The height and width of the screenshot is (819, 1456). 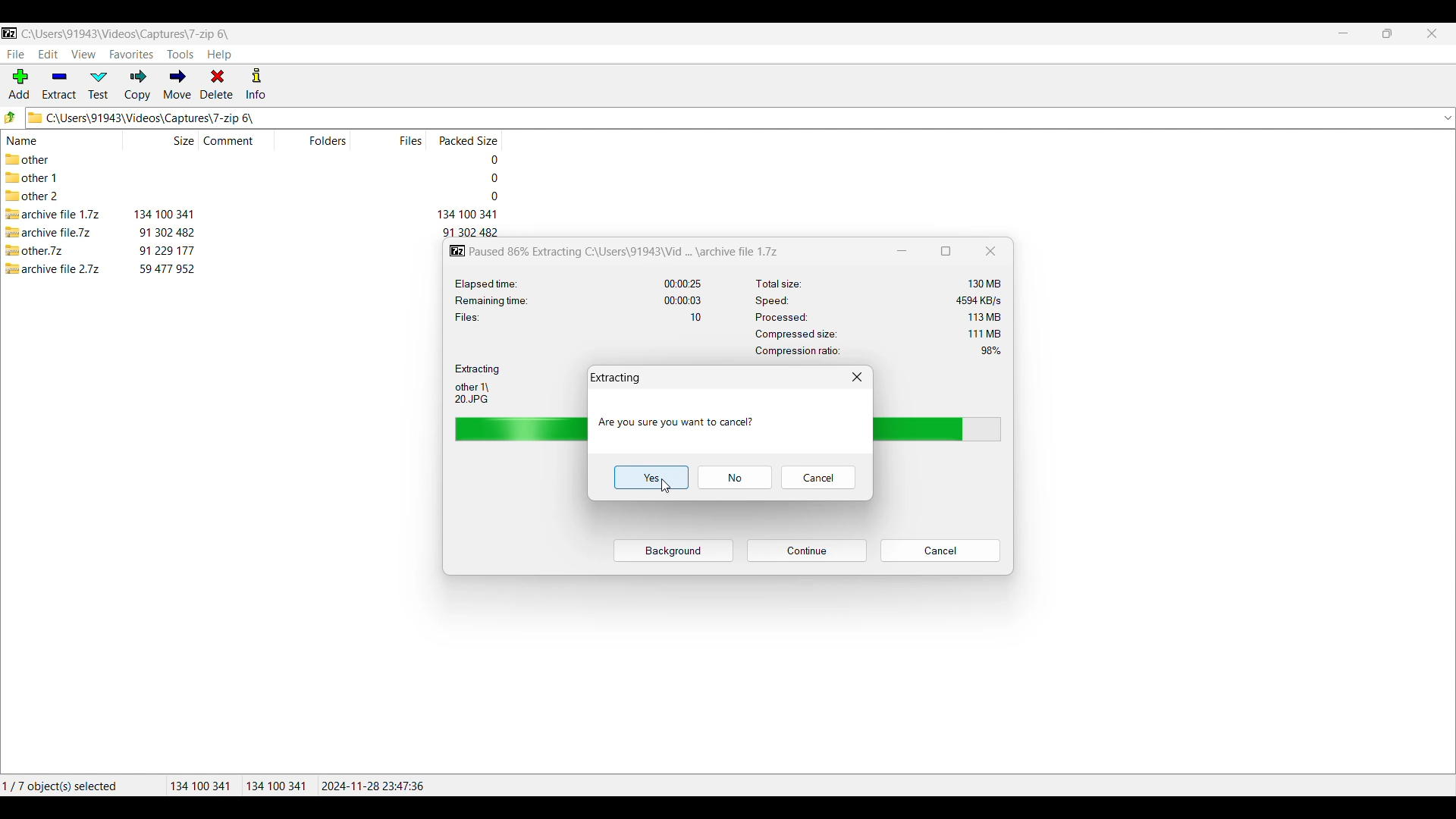 I want to click on Extract, so click(x=59, y=85).